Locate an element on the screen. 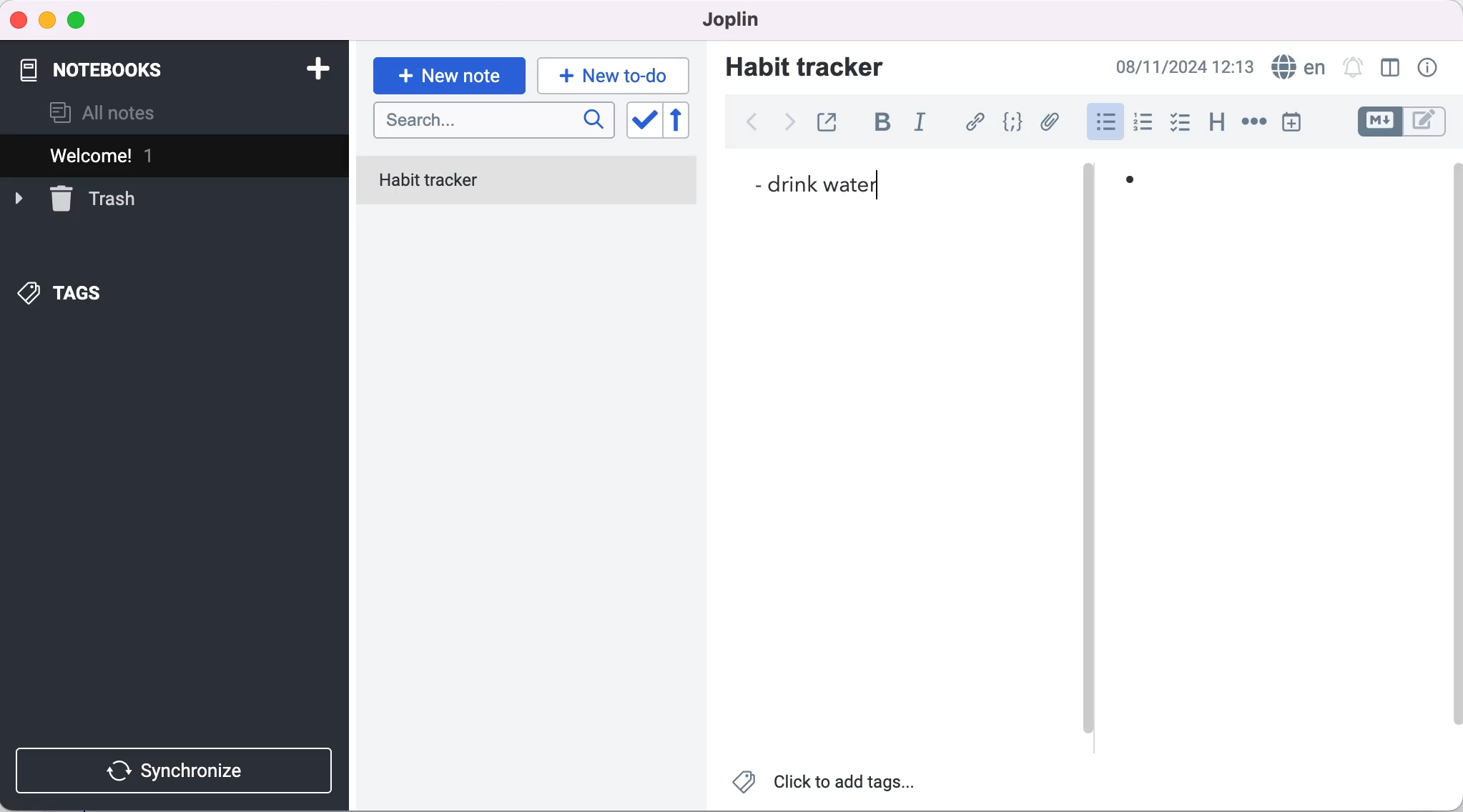 This screenshot has height=812, width=1463. language is located at coordinates (1296, 67).